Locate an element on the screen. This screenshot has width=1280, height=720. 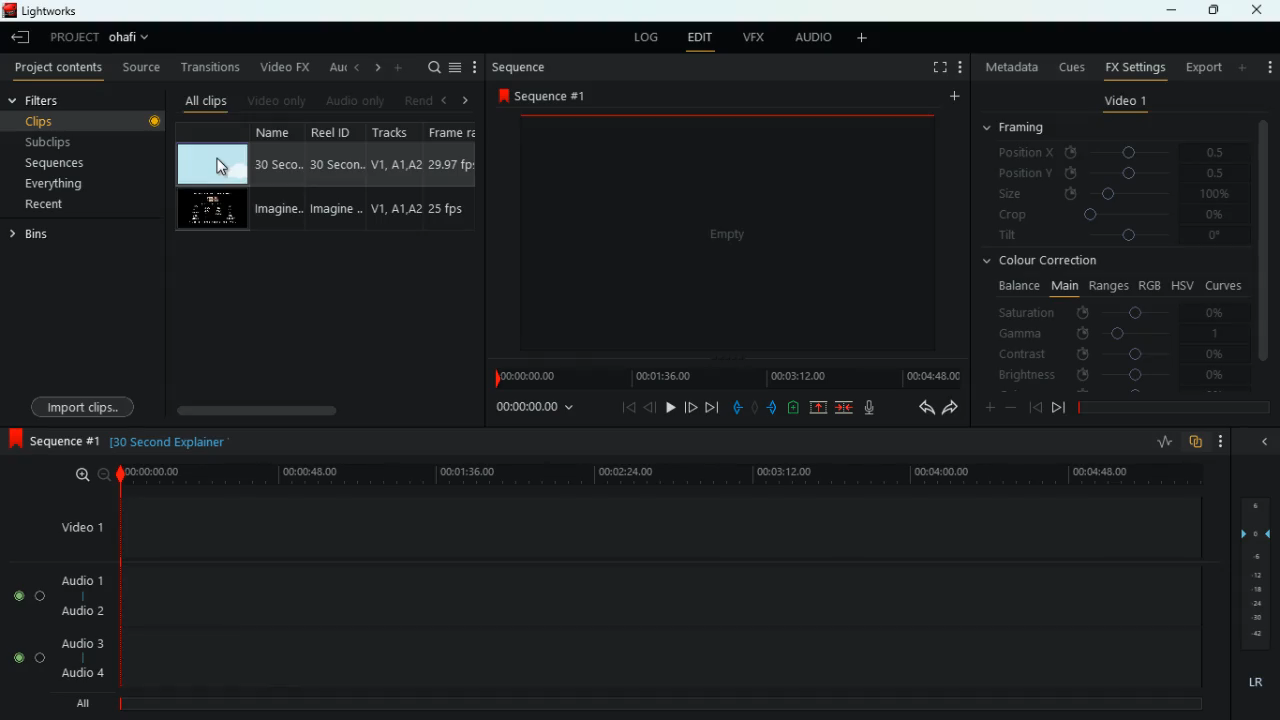
zoom is located at coordinates (85, 476).